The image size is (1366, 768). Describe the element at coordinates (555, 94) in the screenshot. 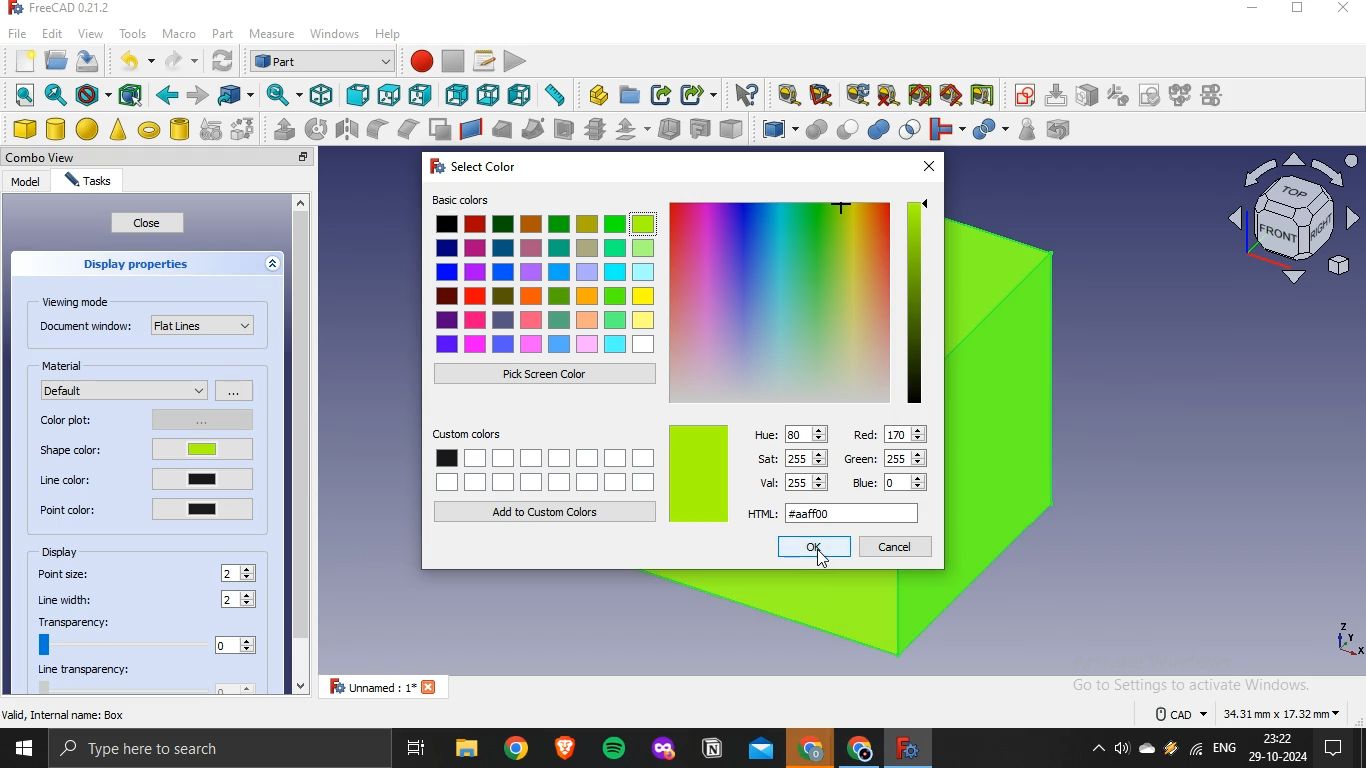

I see `measure distance` at that location.